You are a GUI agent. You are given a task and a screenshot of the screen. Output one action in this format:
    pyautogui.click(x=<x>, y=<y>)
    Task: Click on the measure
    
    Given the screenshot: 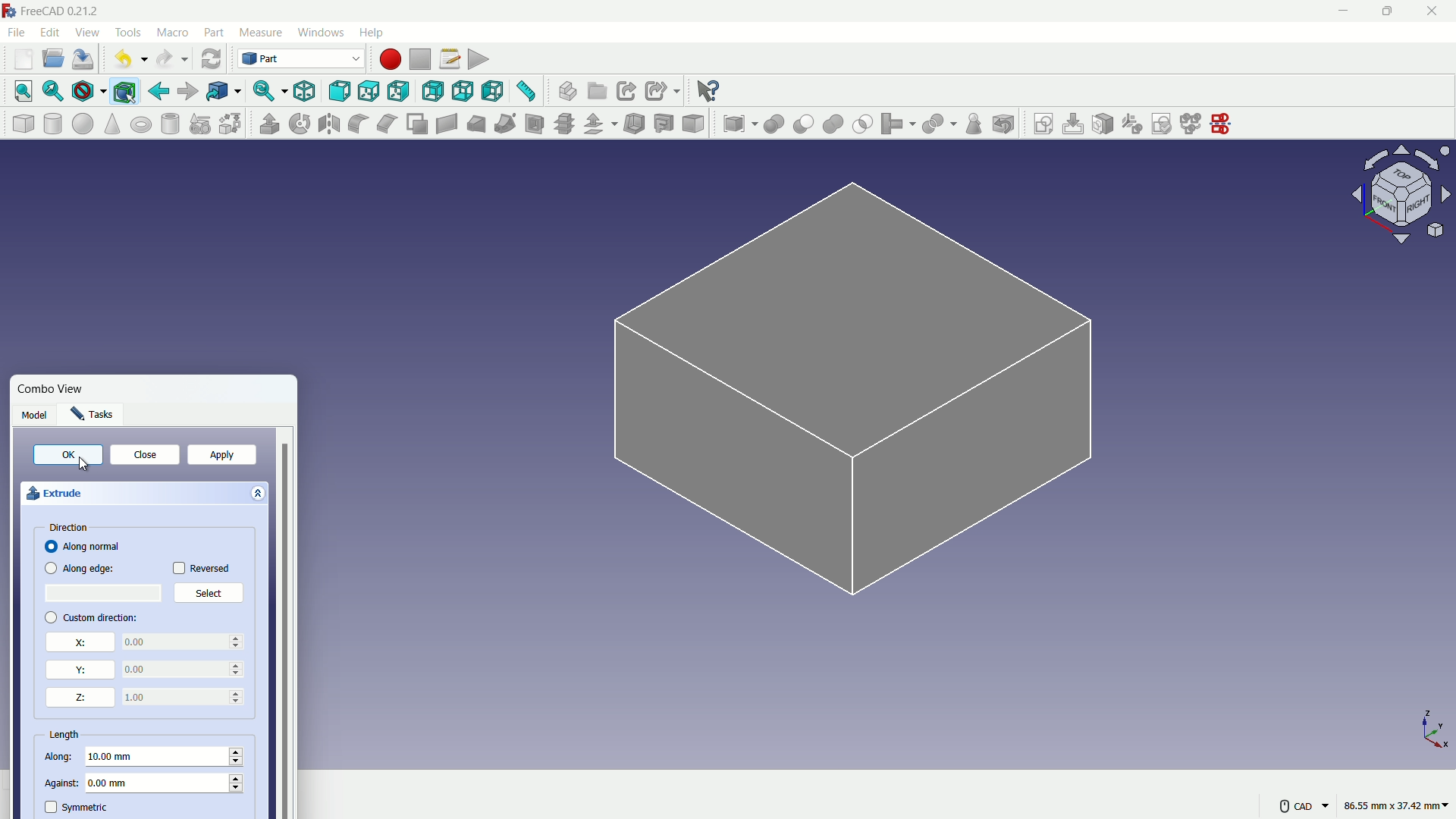 What is the action you would take?
    pyautogui.click(x=261, y=32)
    